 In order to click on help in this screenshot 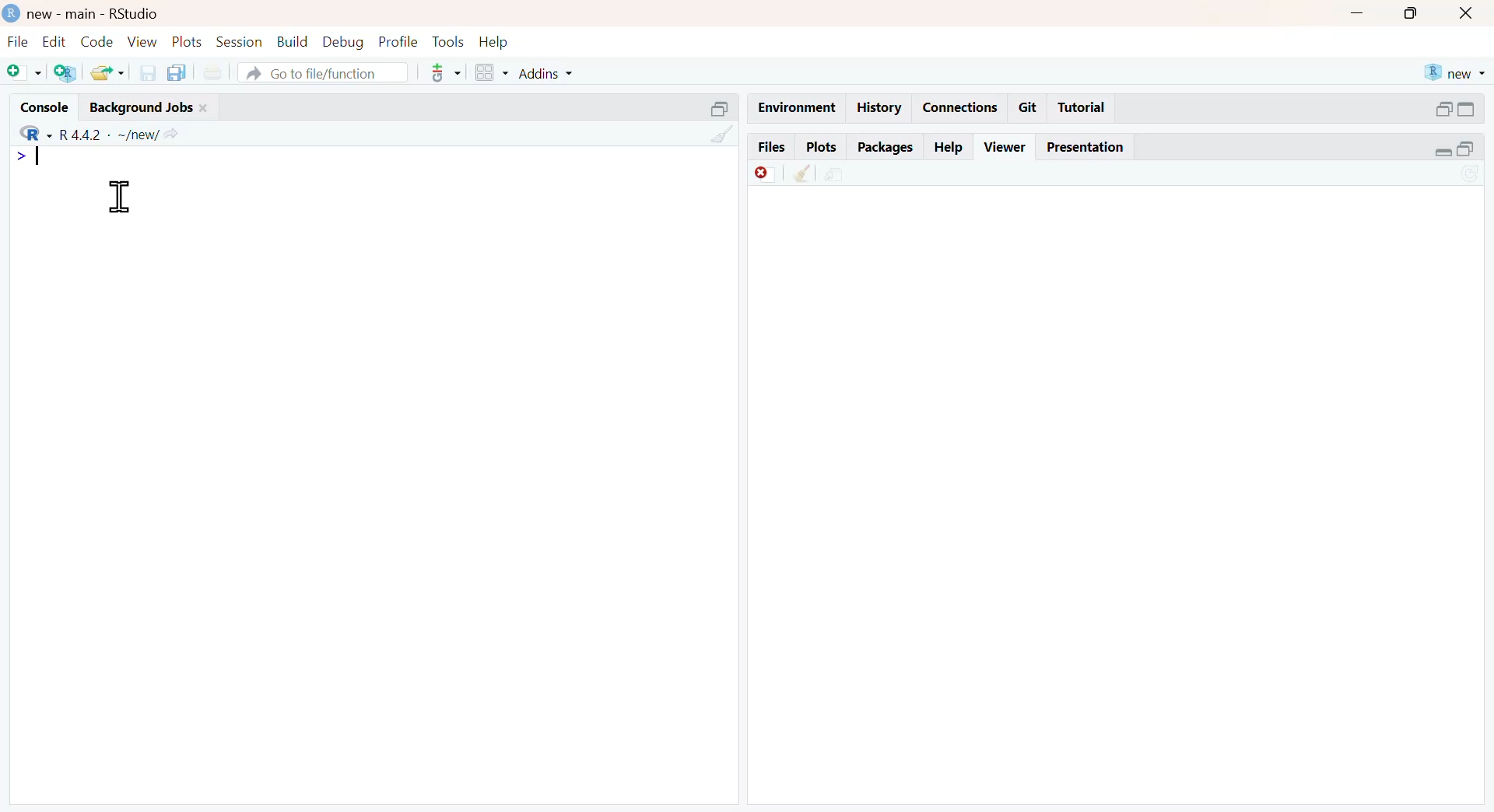, I will do `click(948, 148)`.